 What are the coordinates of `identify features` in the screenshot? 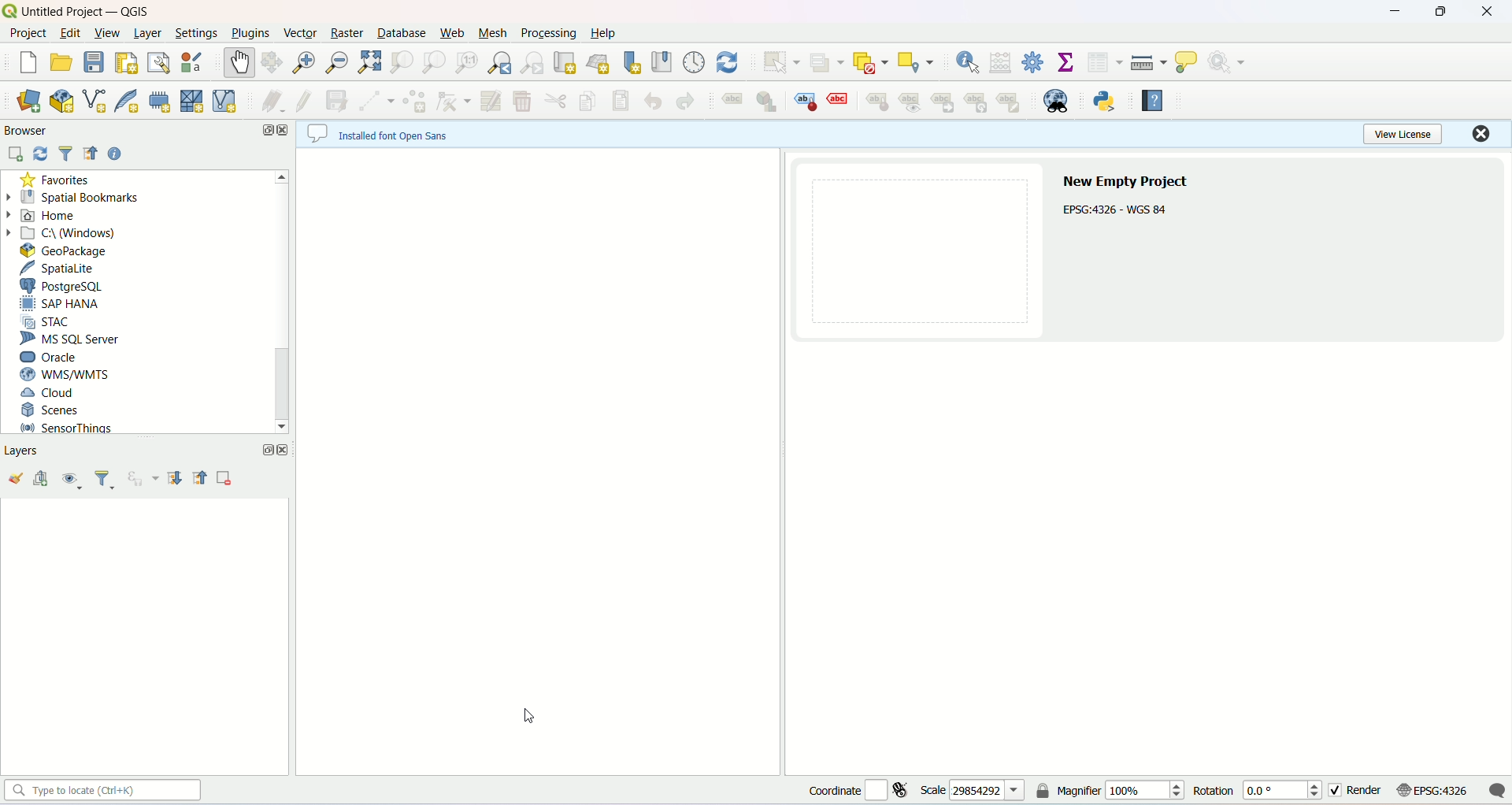 It's located at (966, 61).